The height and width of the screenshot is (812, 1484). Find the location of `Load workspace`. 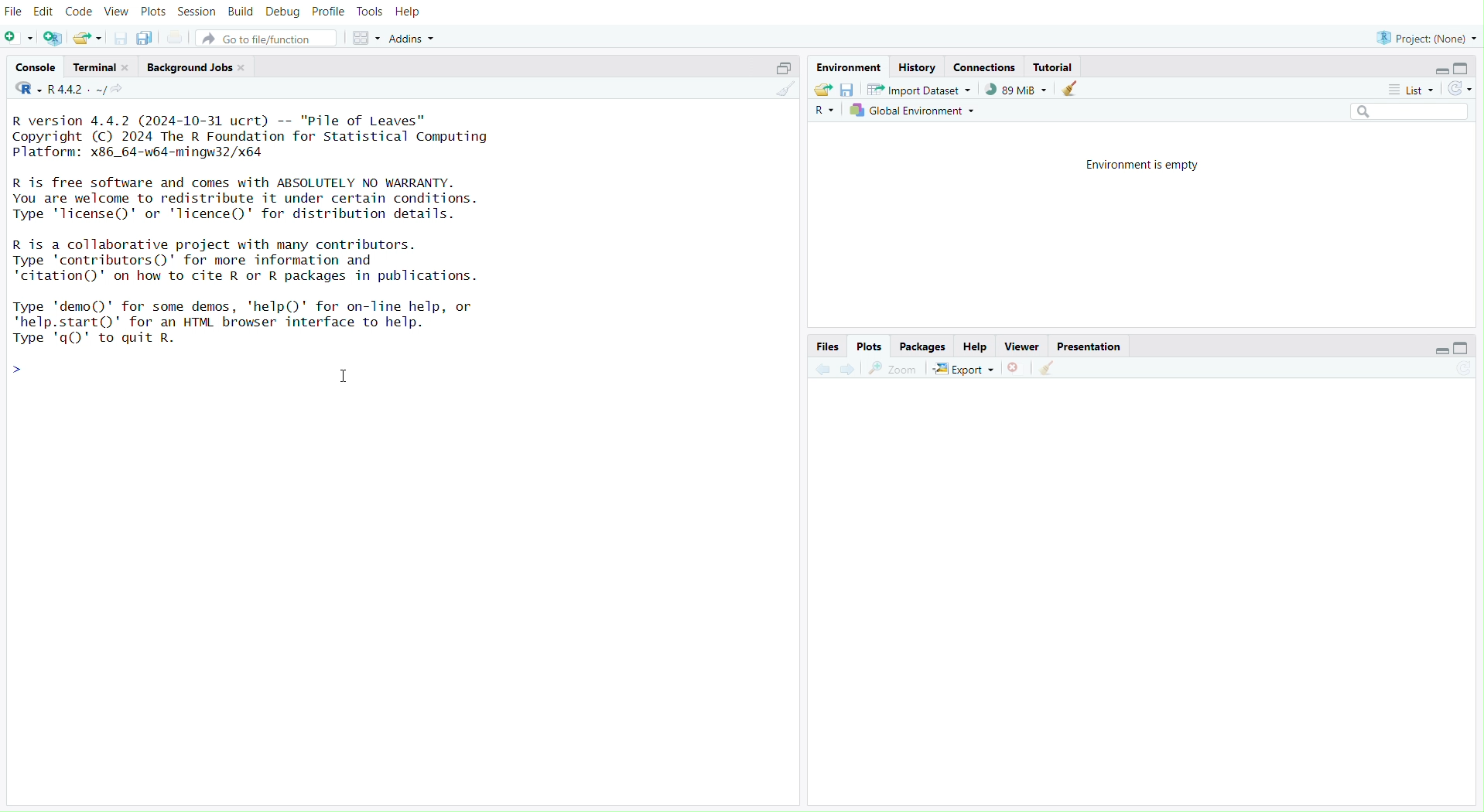

Load workspace is located at coordinates (824, 90).